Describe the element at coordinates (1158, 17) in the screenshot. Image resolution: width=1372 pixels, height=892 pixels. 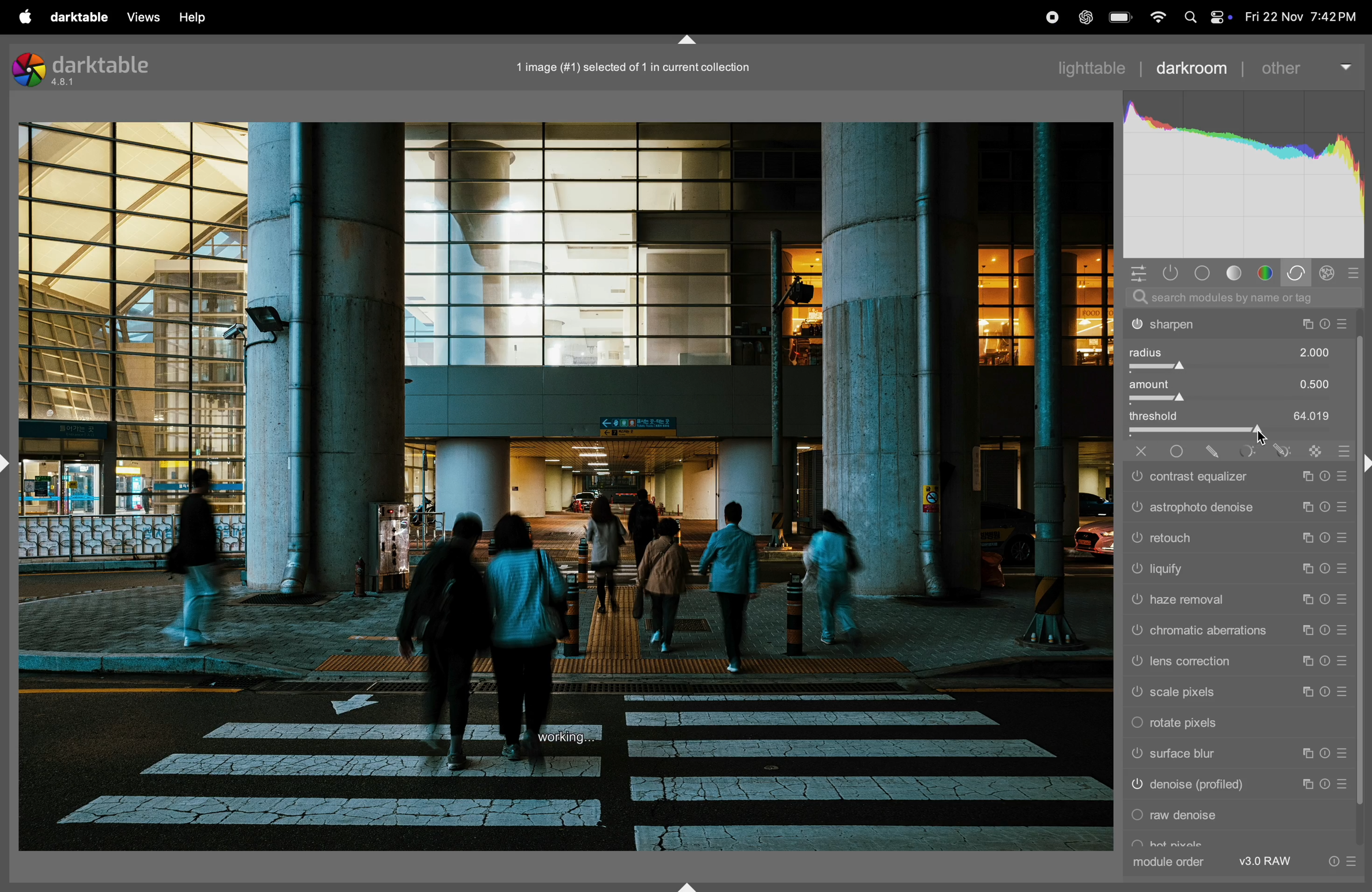
I see `wifi` at that location.